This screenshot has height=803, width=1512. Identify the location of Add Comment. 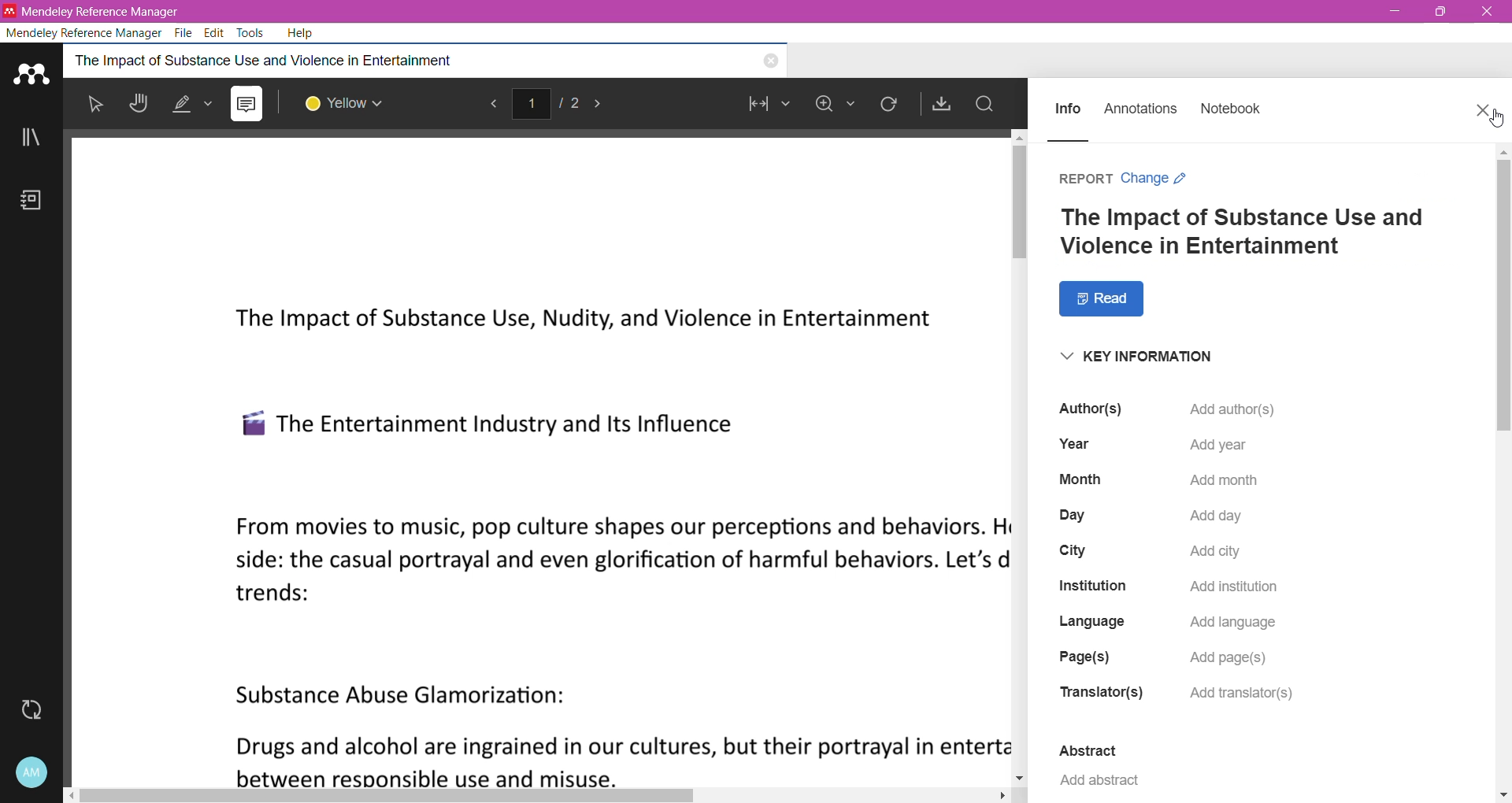
(246, 104).